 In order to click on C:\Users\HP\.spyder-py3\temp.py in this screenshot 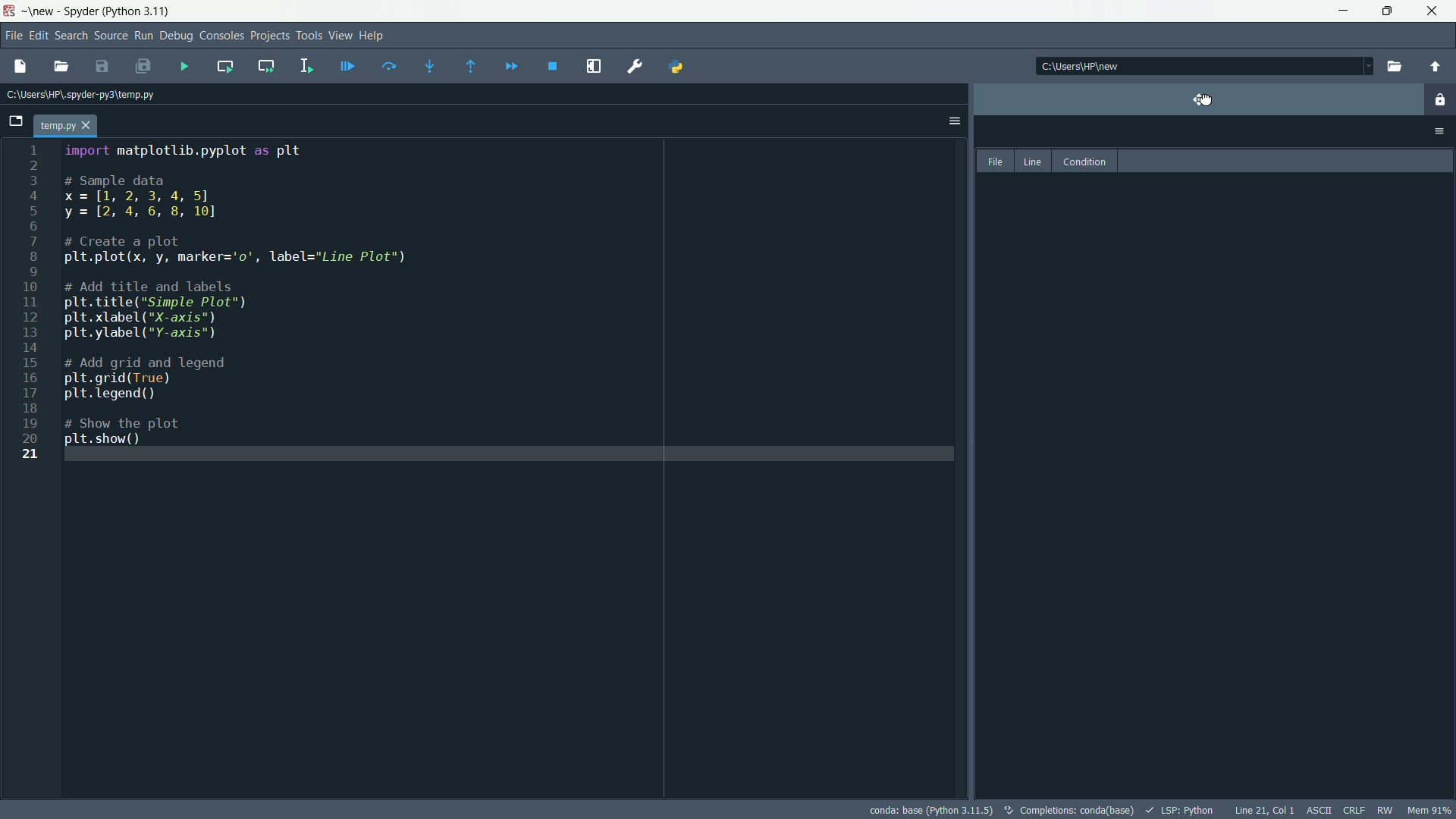, I will do `click(95, 94)`.